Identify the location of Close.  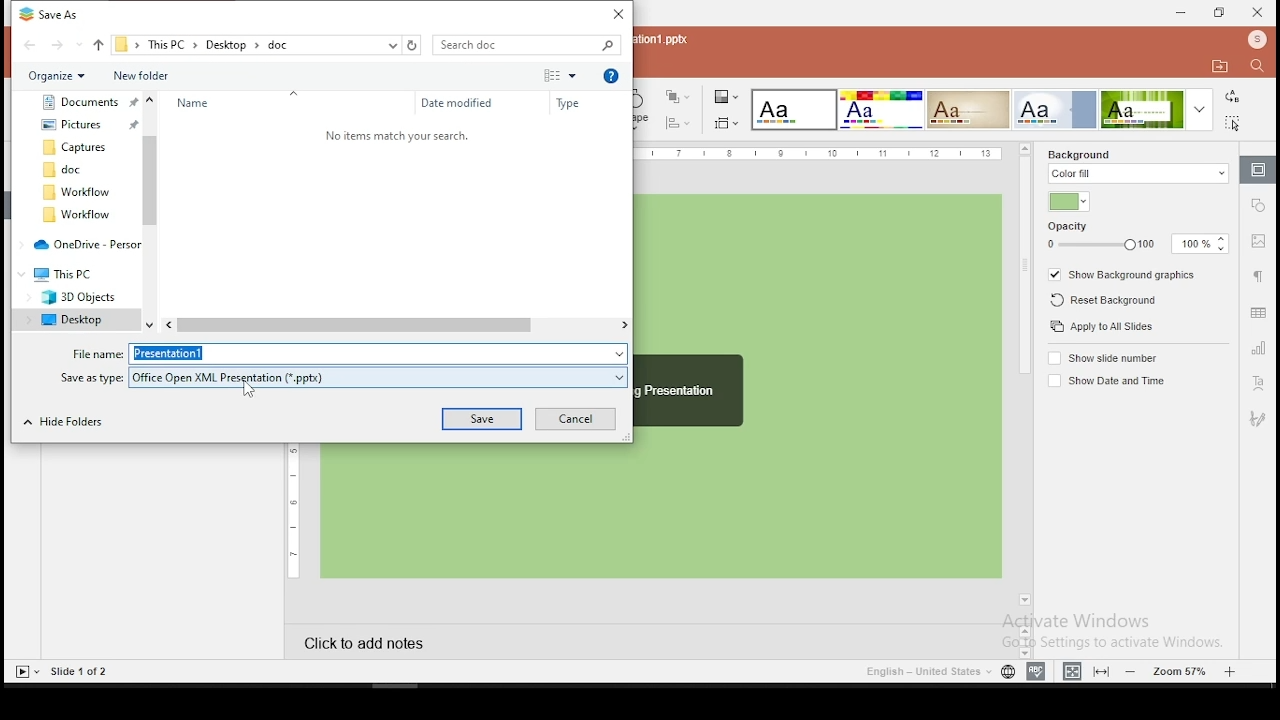
(615, 14).